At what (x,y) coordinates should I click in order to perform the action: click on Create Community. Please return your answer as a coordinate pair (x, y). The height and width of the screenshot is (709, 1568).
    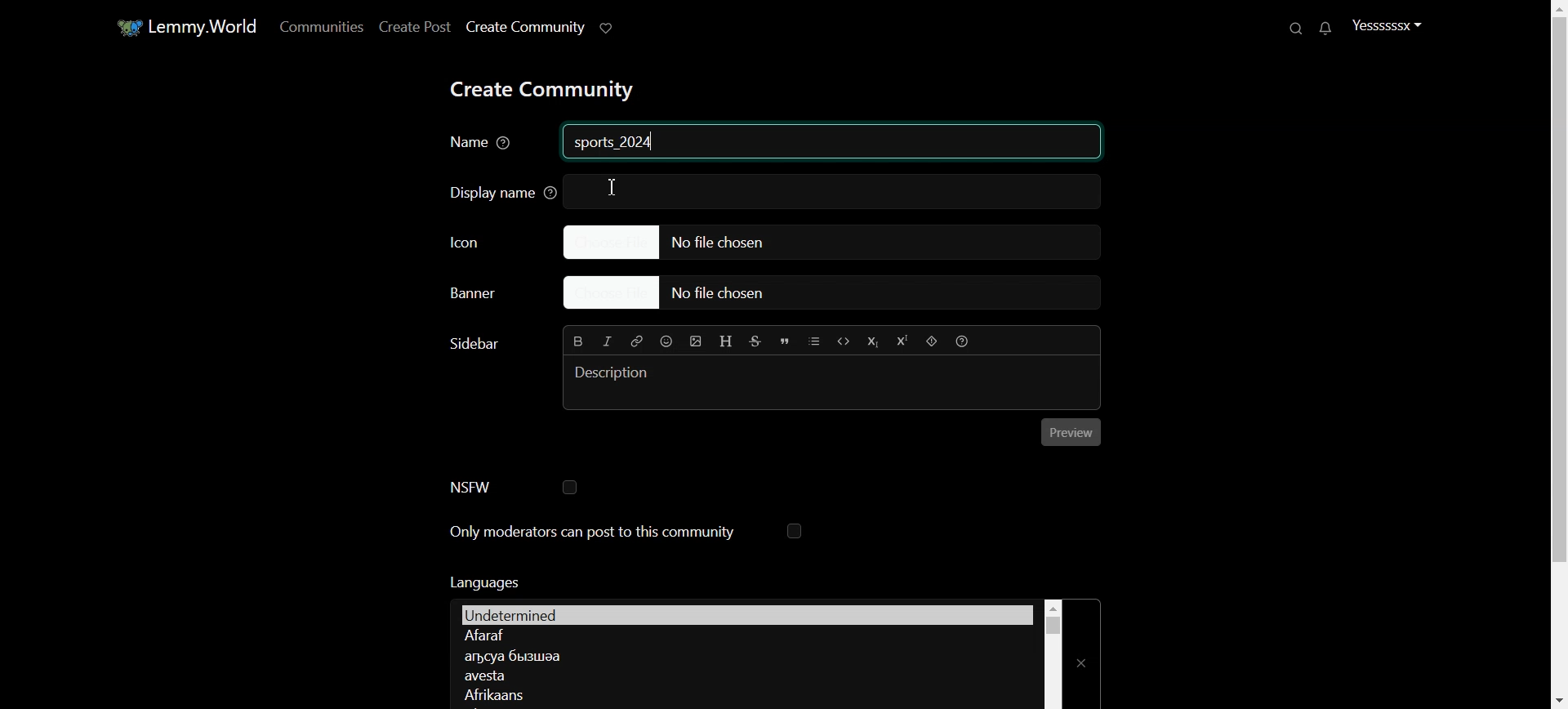
    Looking at the image, I should click on (524, 27).